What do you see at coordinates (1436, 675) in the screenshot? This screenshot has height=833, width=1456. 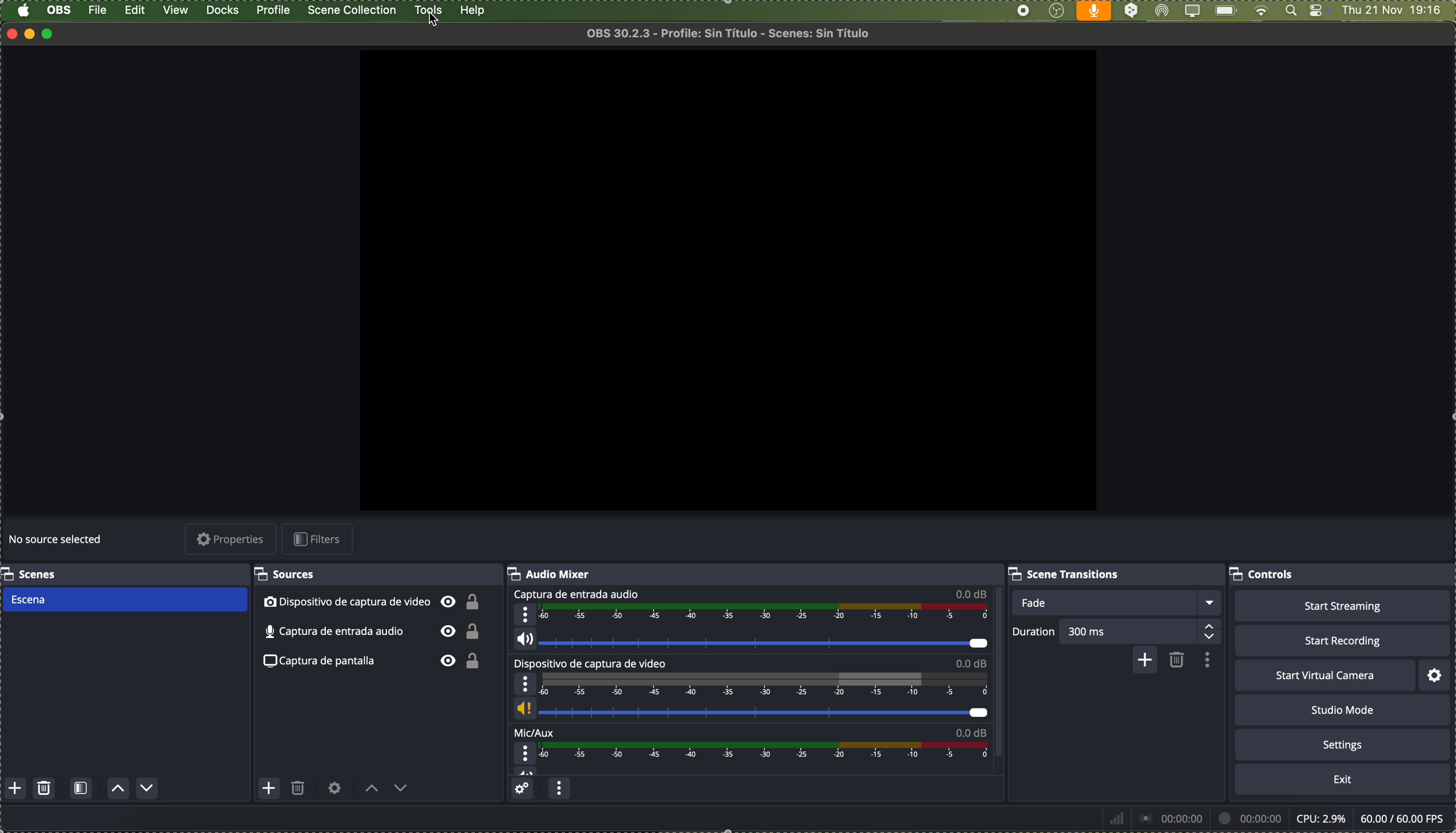 I see `settings` at bounding box center [1436, 675].